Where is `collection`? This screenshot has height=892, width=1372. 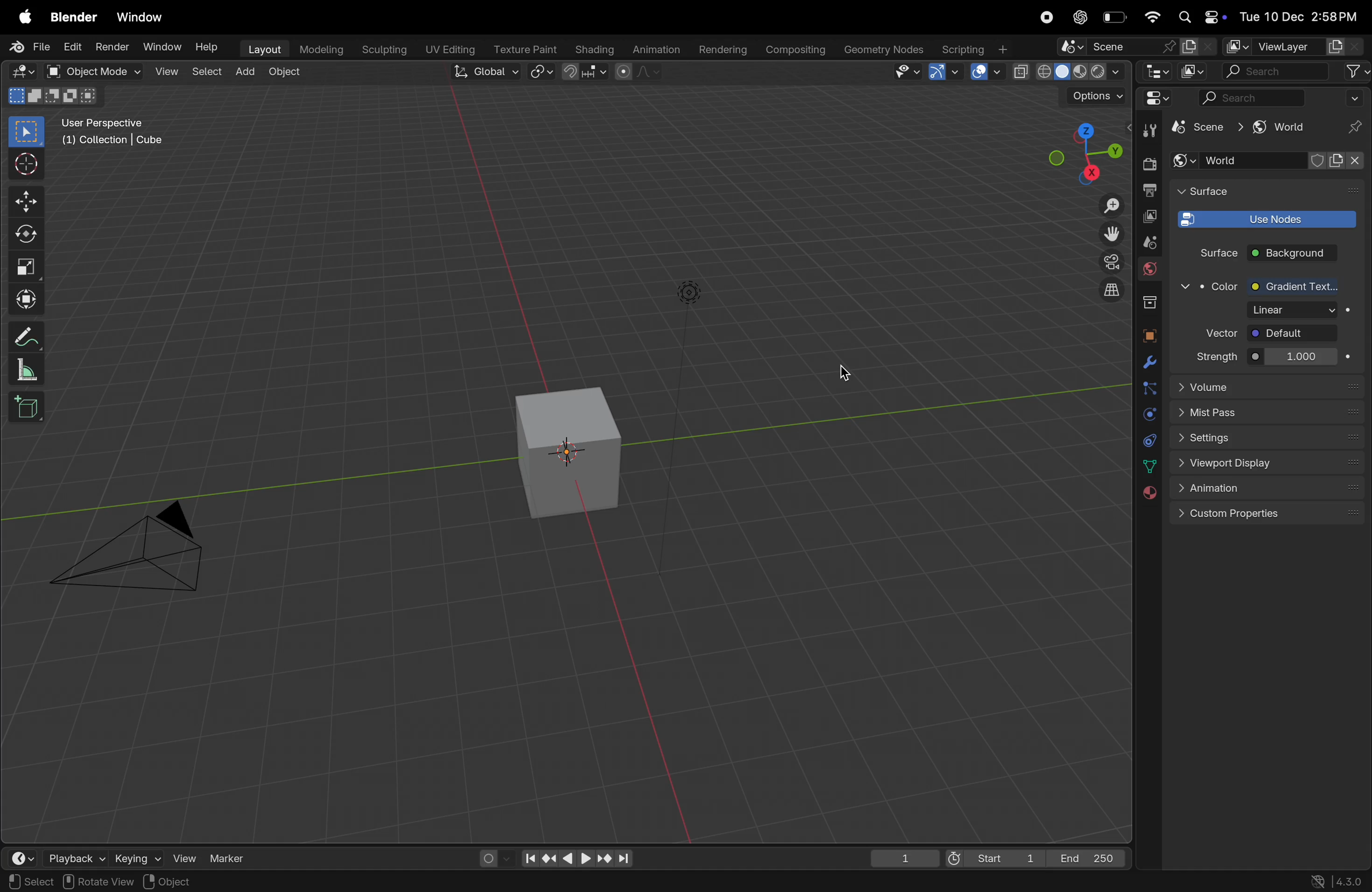 collection is located at coordinates (1149, 303).